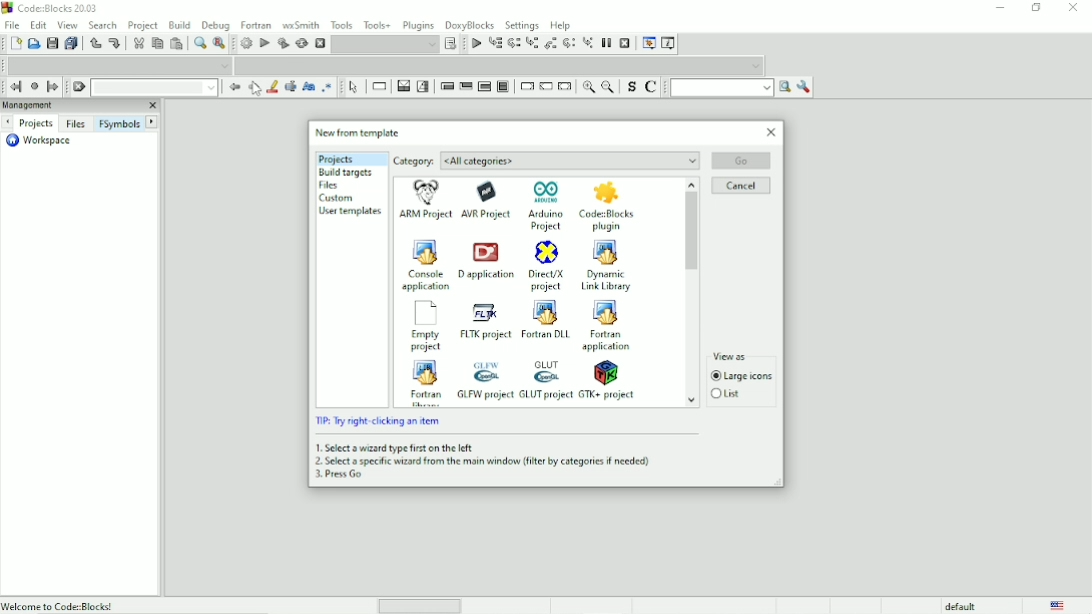 This screenshot has width=1092, height=614. Describe the element at coordinates (653, 86) in the screenshot. I see `Toggle comments` at that location.